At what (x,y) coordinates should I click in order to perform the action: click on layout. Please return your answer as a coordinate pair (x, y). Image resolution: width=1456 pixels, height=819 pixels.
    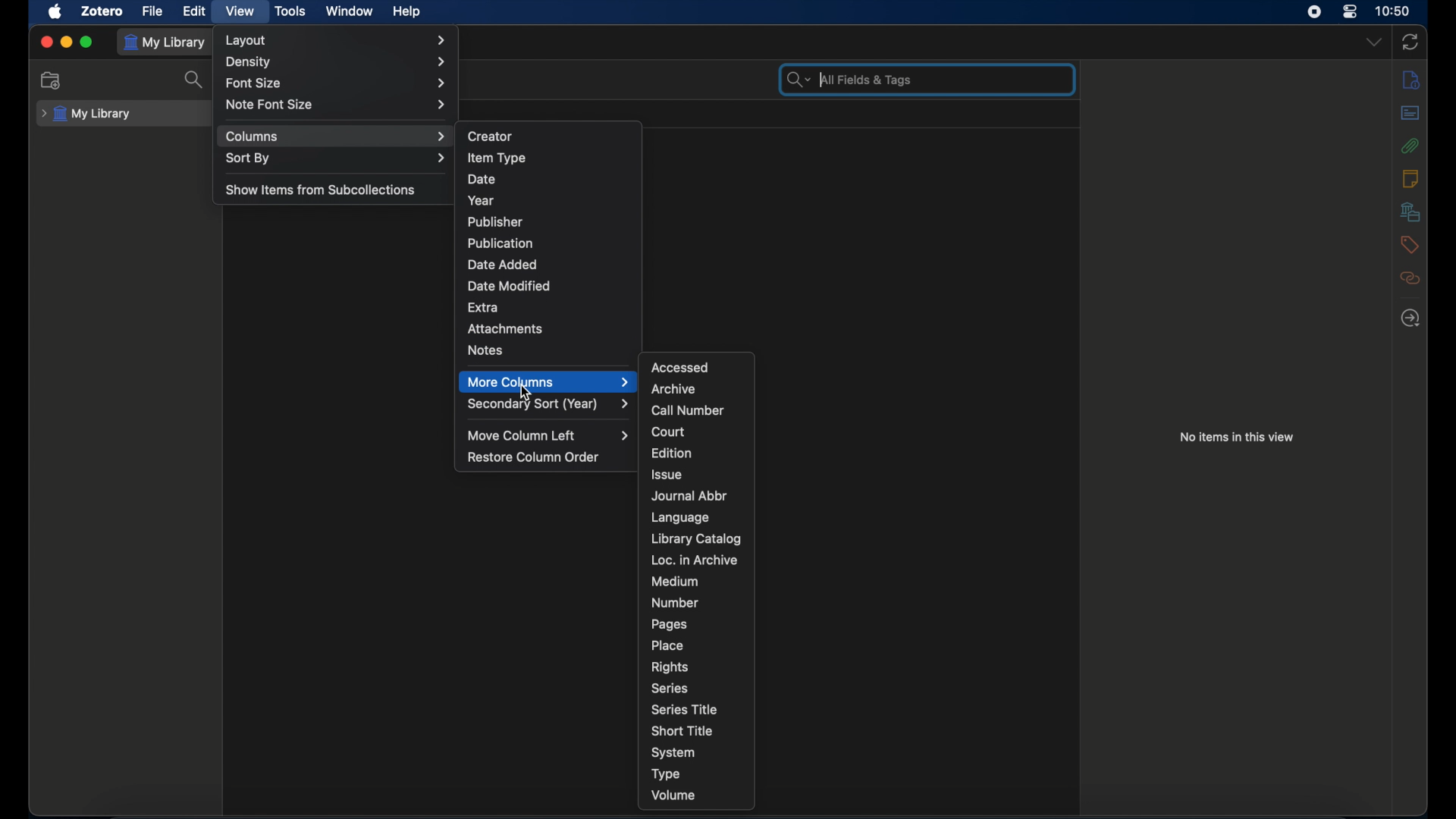
    Looking at the image, I should click on (336, 40).